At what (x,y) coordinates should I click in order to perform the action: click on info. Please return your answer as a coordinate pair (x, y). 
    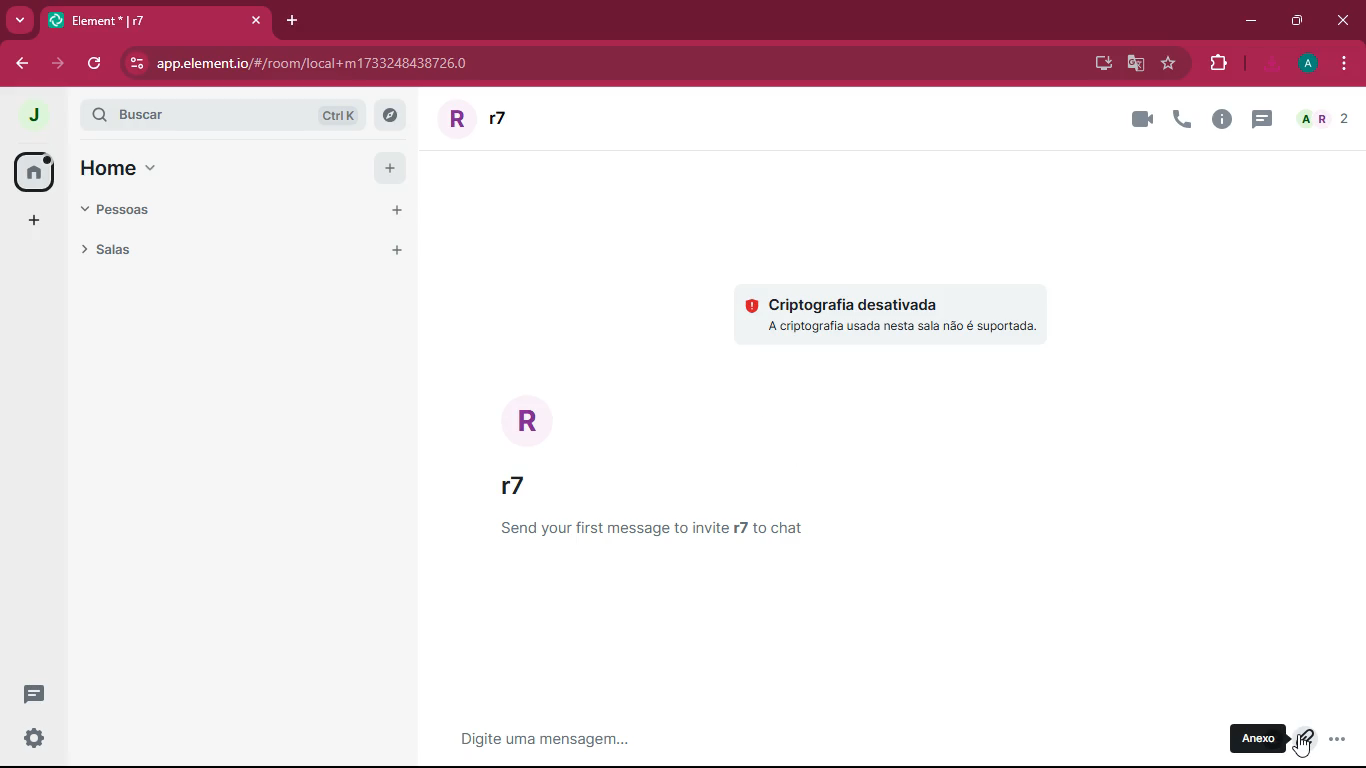
    Looking at the image, I should click on (1221, 120).